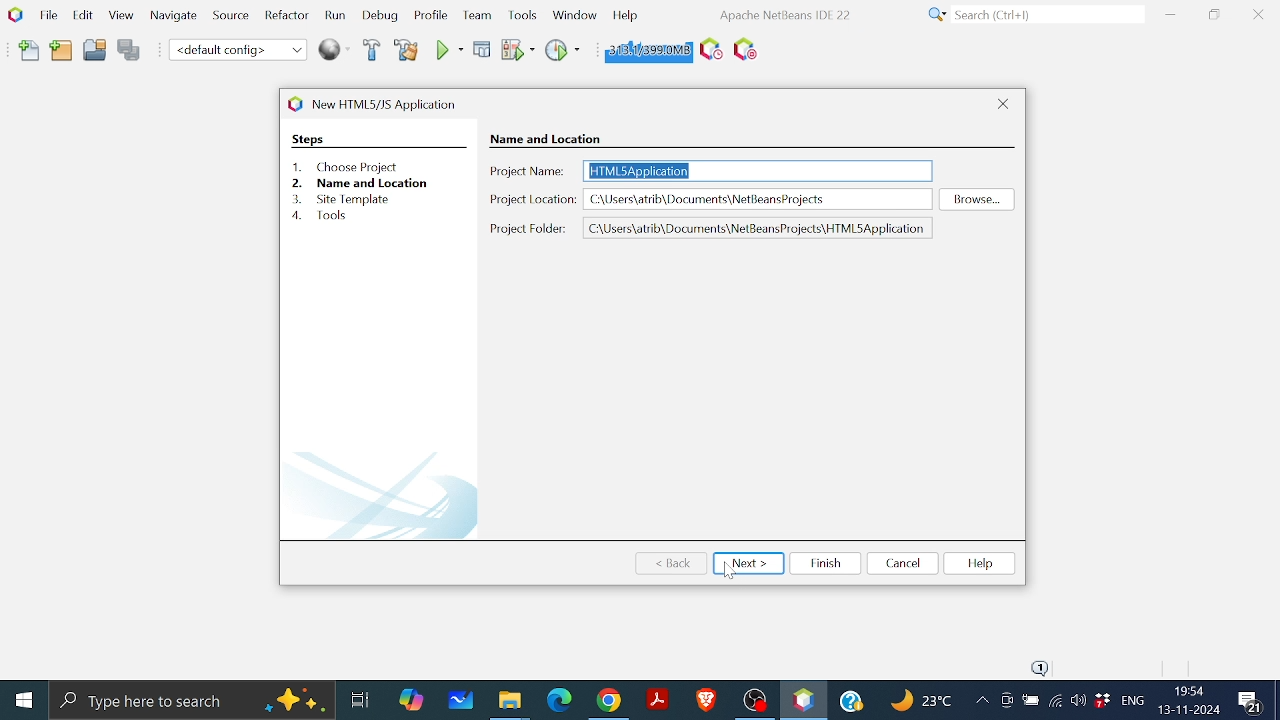  What do you see at coordinates (1034, 665) in the screenshot?
I see `notifications` at bounding box center [1034, 665].